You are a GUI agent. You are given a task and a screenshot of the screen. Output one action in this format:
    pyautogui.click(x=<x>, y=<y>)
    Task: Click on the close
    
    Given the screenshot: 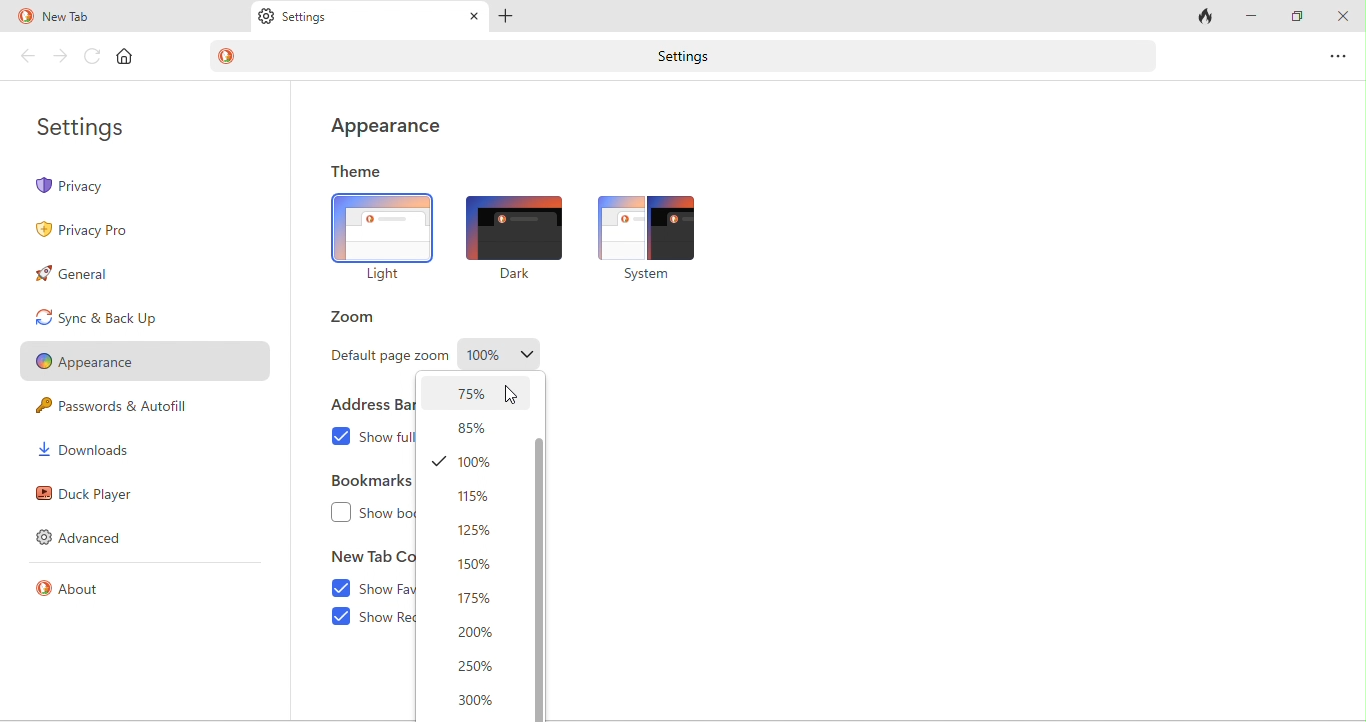 What is the action you would take?
    pyautogui.click(x=470, y=16)
    